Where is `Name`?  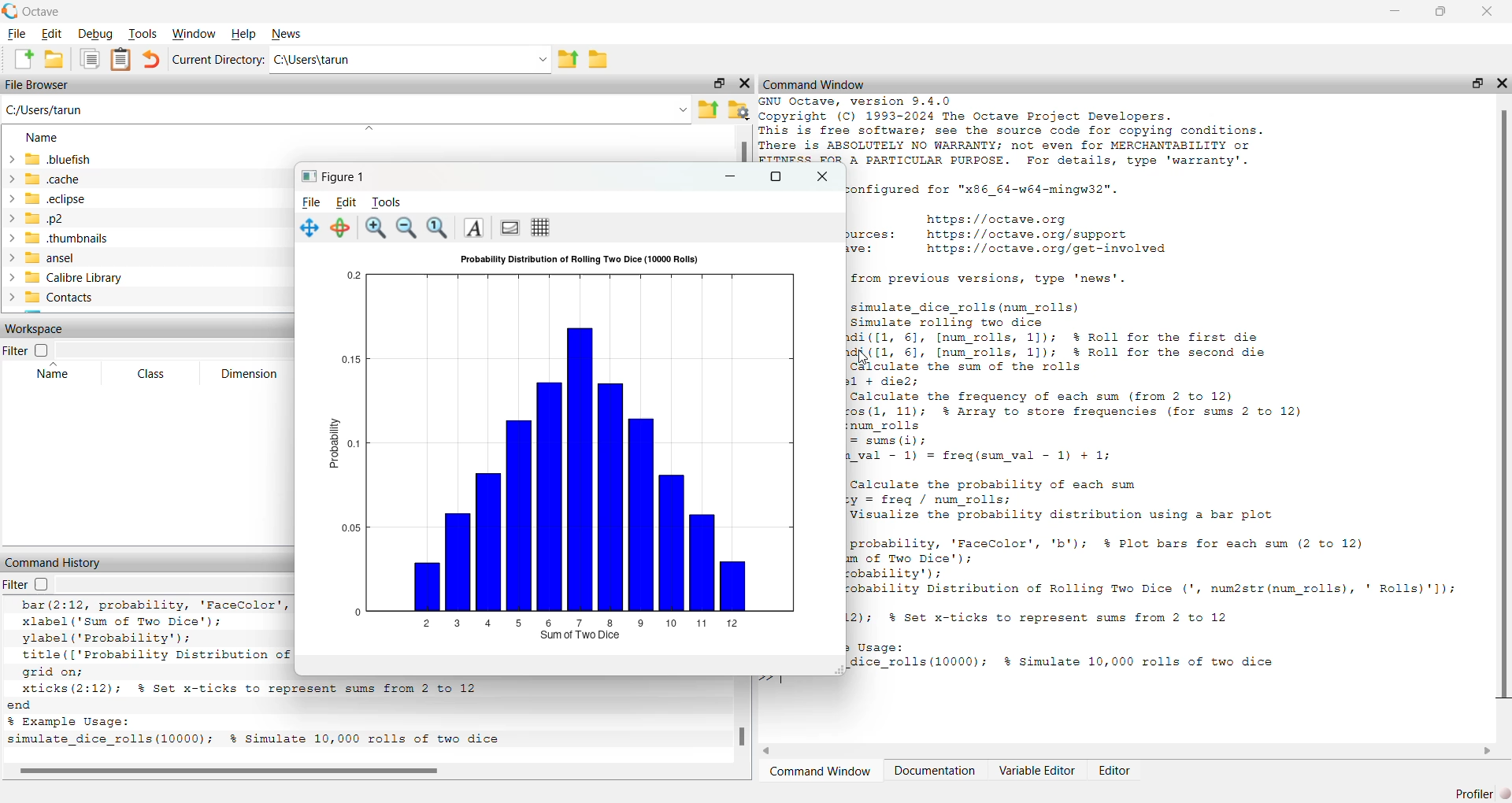
Name is located at coordinates (55, 373).